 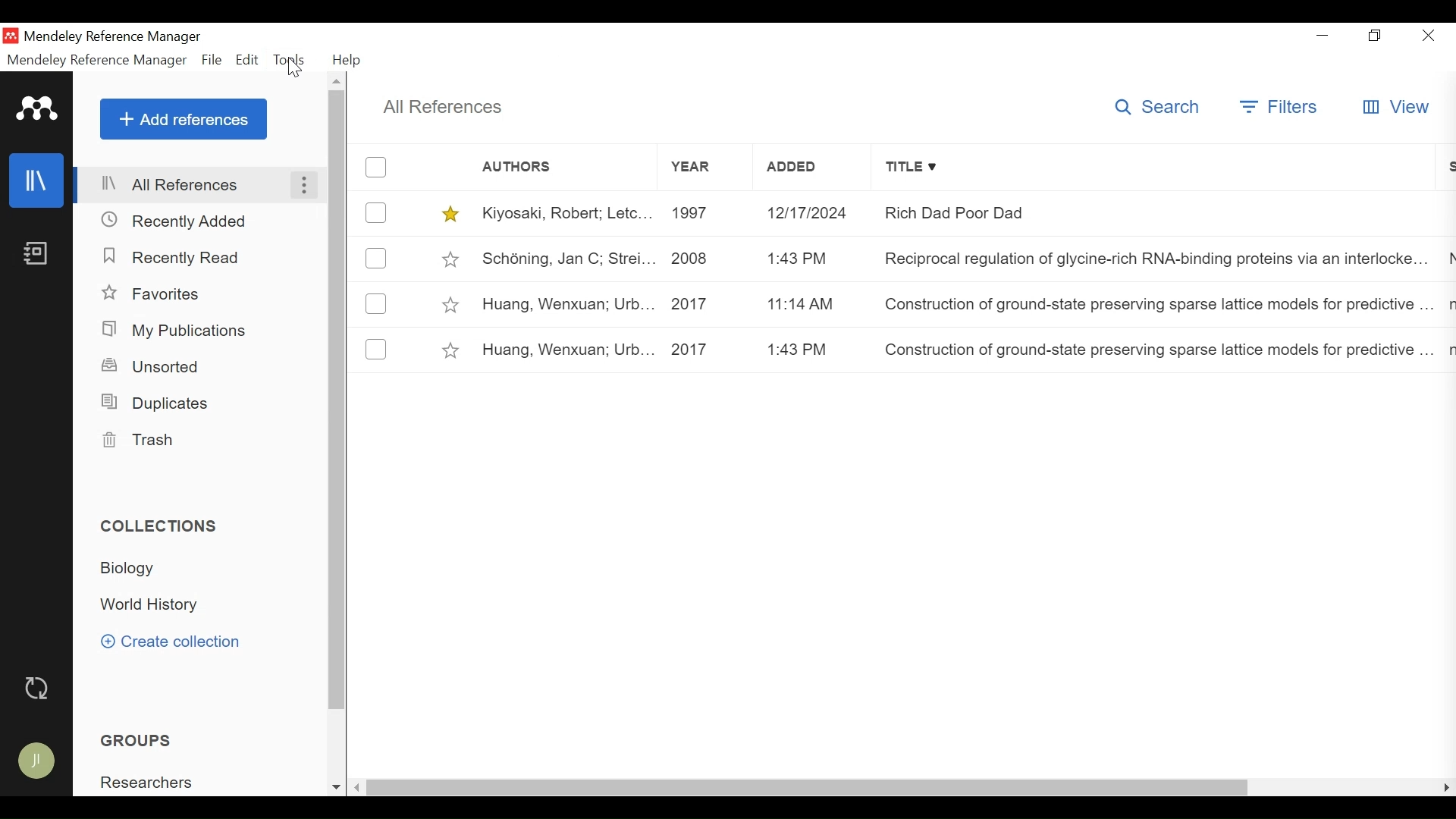 What do you see at coordinates (179, 220) in the screenshot?
I see `Recently Added` at bounding box center [179, 220].